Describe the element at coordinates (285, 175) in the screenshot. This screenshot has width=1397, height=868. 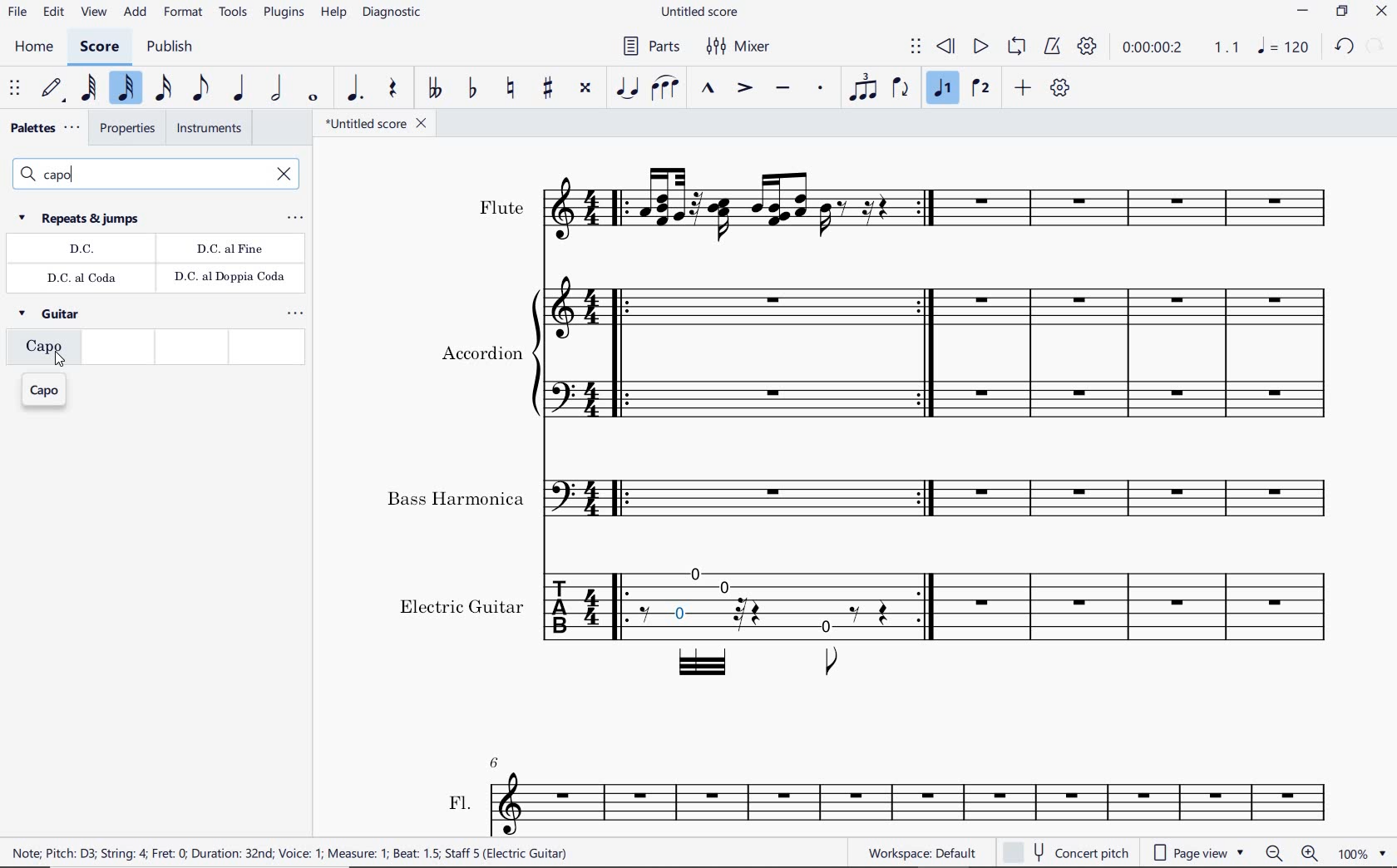
I see `remove` at that location.